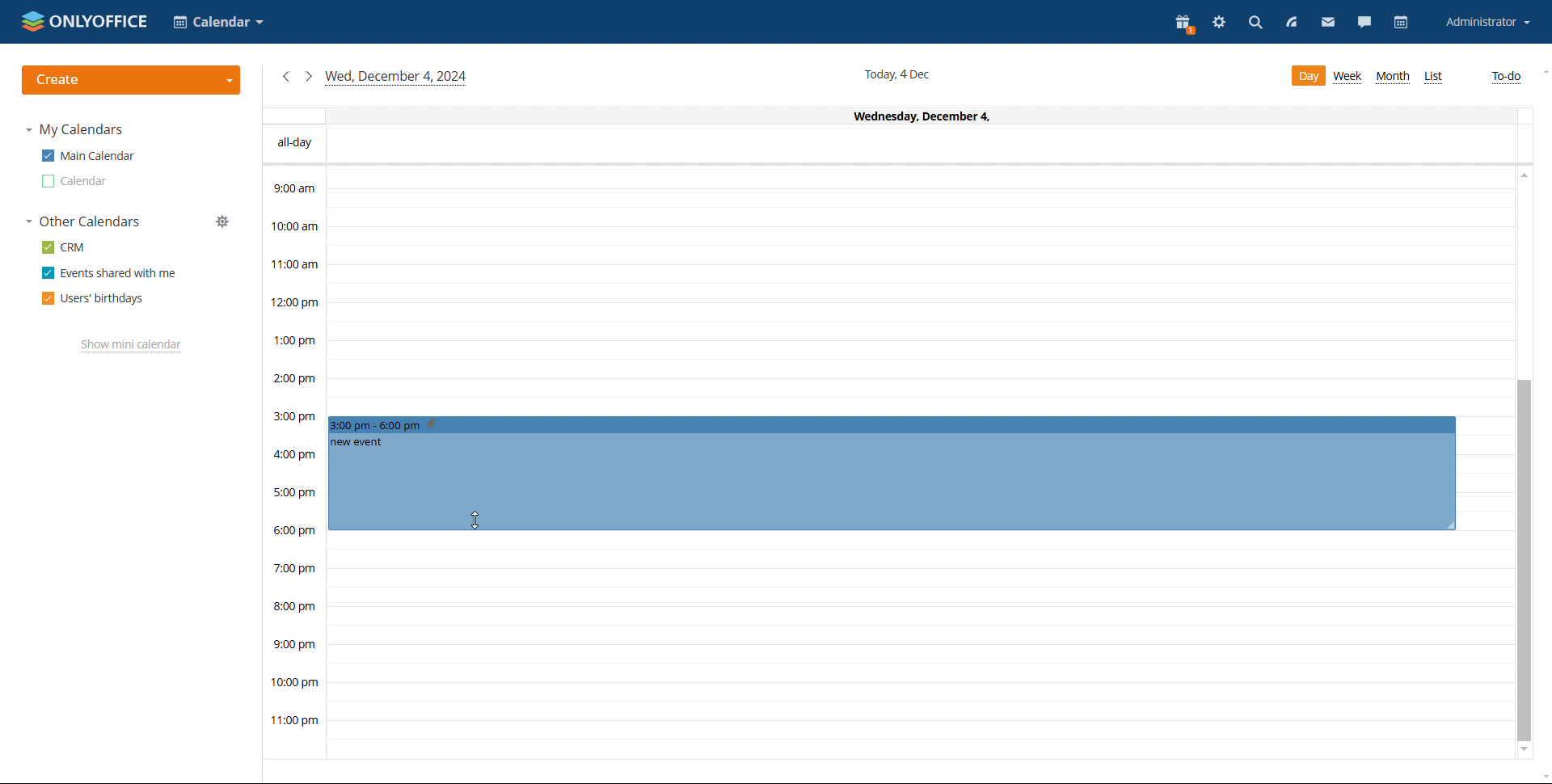 The height and width of the screenshot is (784, 1552). What do you see at coordinates (308, 75) in the screenshot?
I see `tomorrow` at bounding box center [308, 75].